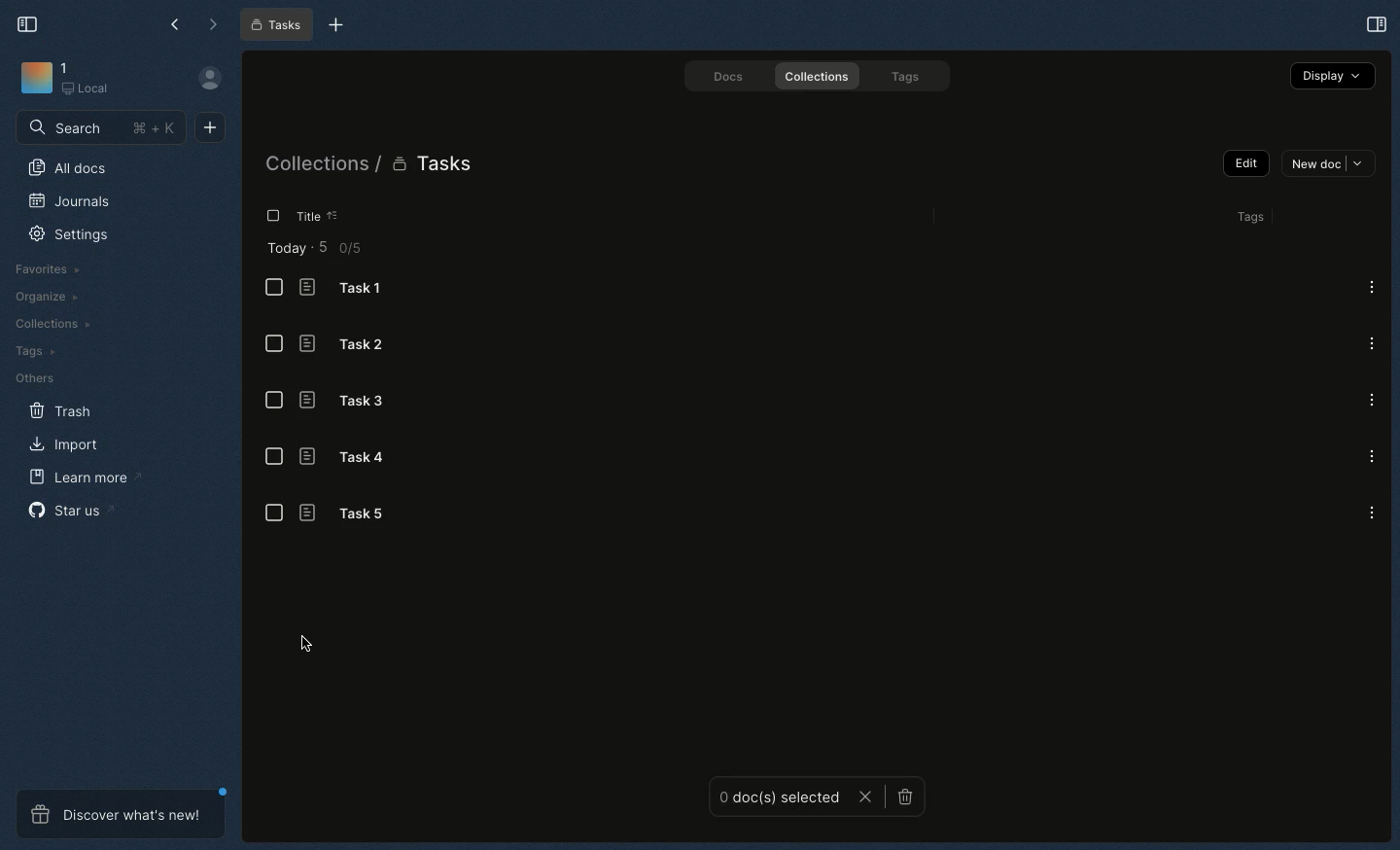 The image size is (1400, 850). Describe the element at coordinates (52, 268) in the screenshot. I see `Favorites` at that location.